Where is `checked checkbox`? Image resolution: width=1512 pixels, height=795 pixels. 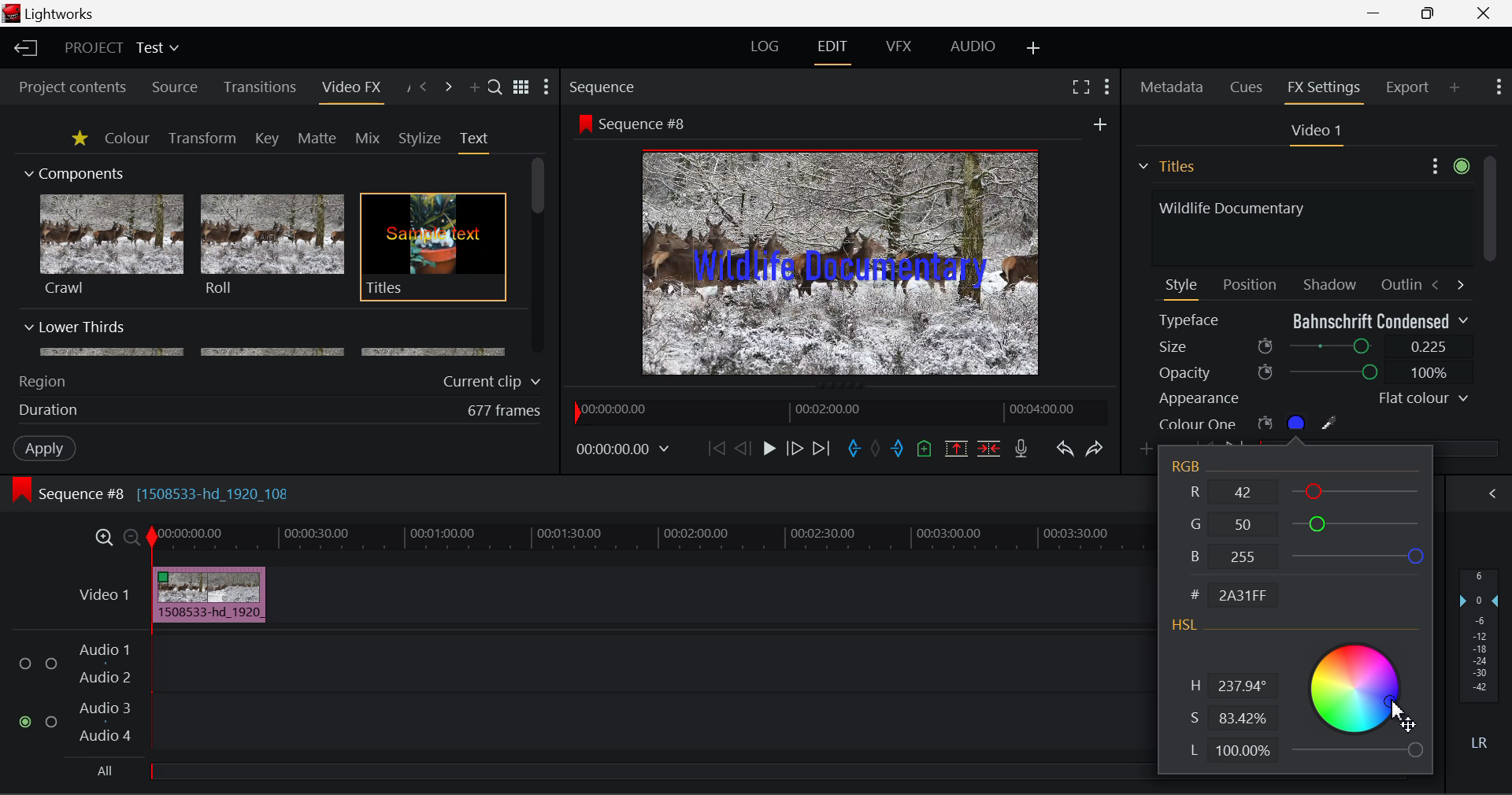
checked checkbox is located at coordinates (28, 723).